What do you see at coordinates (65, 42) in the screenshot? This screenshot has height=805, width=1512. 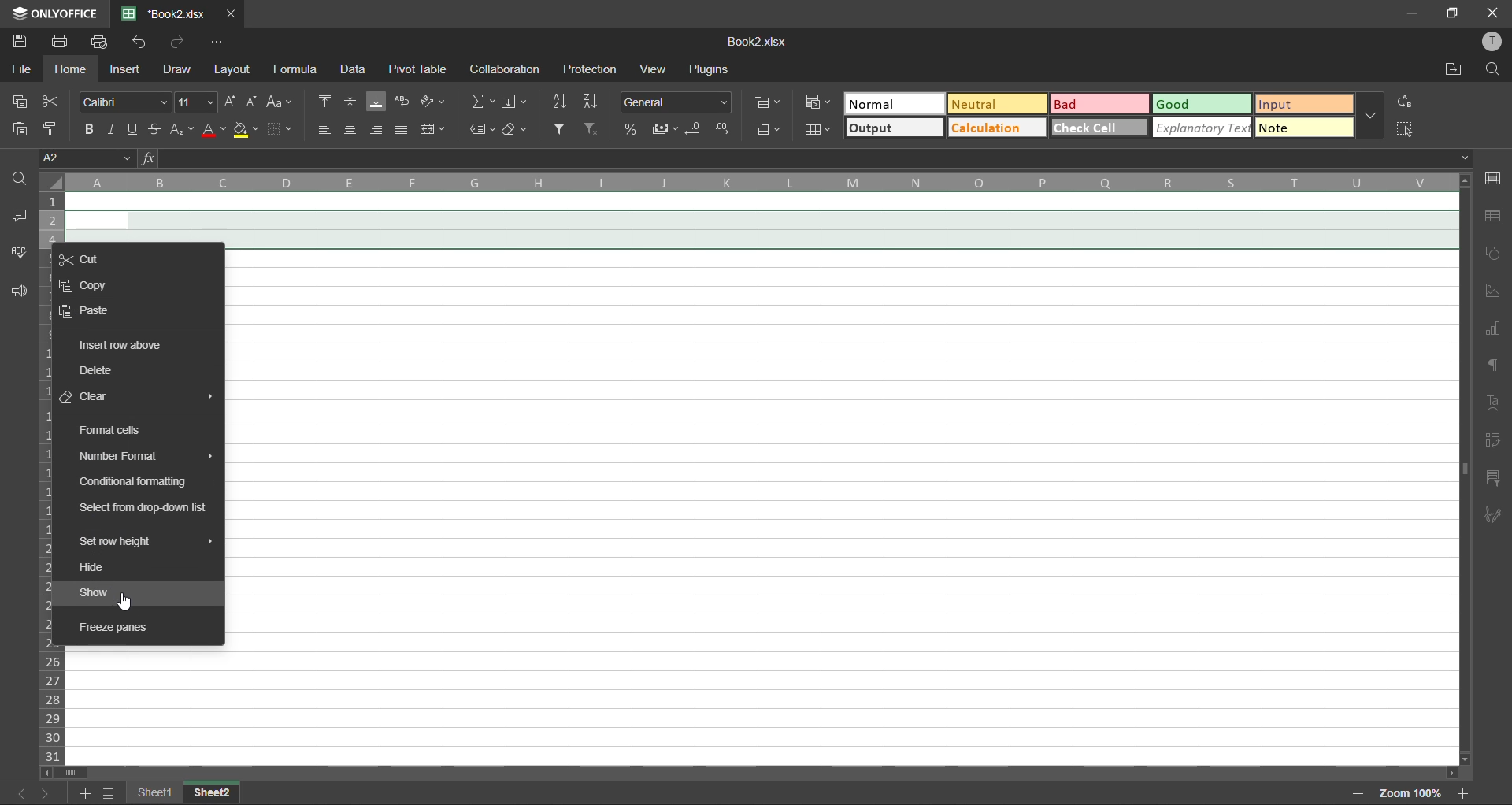 I see `print` at bounding box center [65, 42].